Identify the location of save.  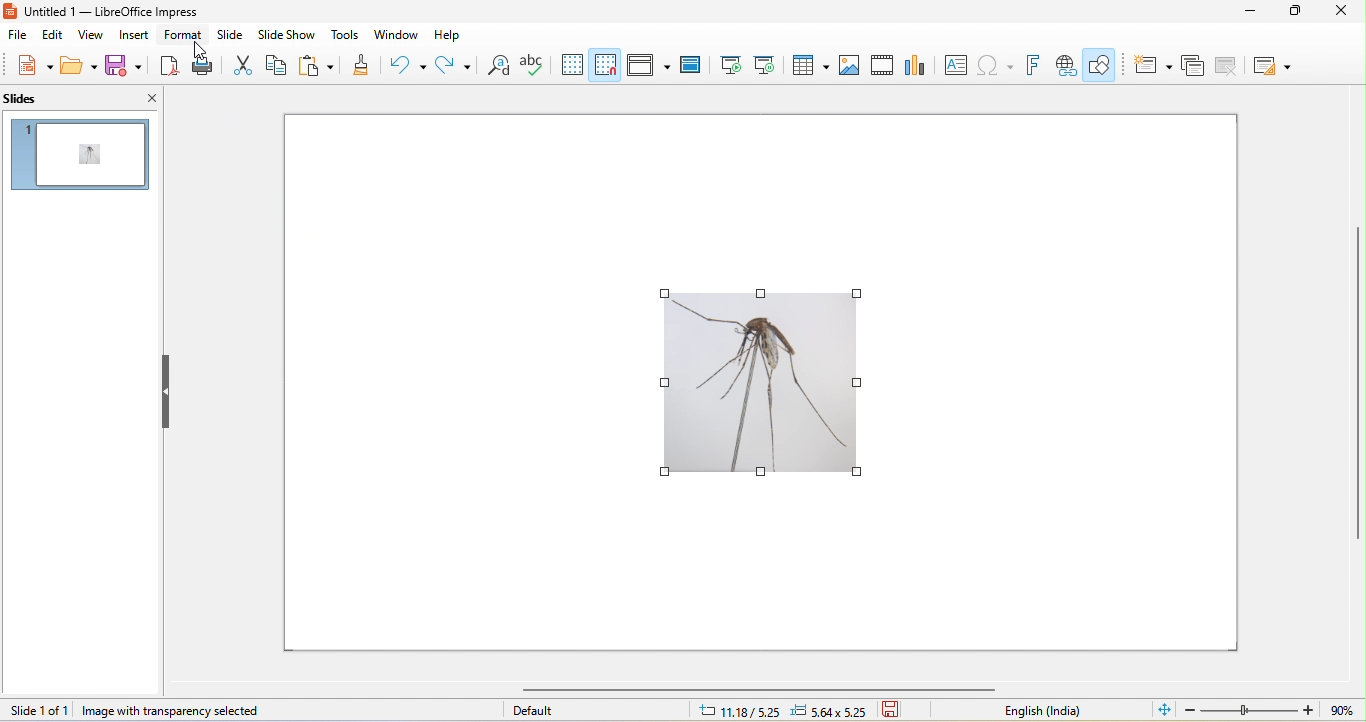
(898, 710).